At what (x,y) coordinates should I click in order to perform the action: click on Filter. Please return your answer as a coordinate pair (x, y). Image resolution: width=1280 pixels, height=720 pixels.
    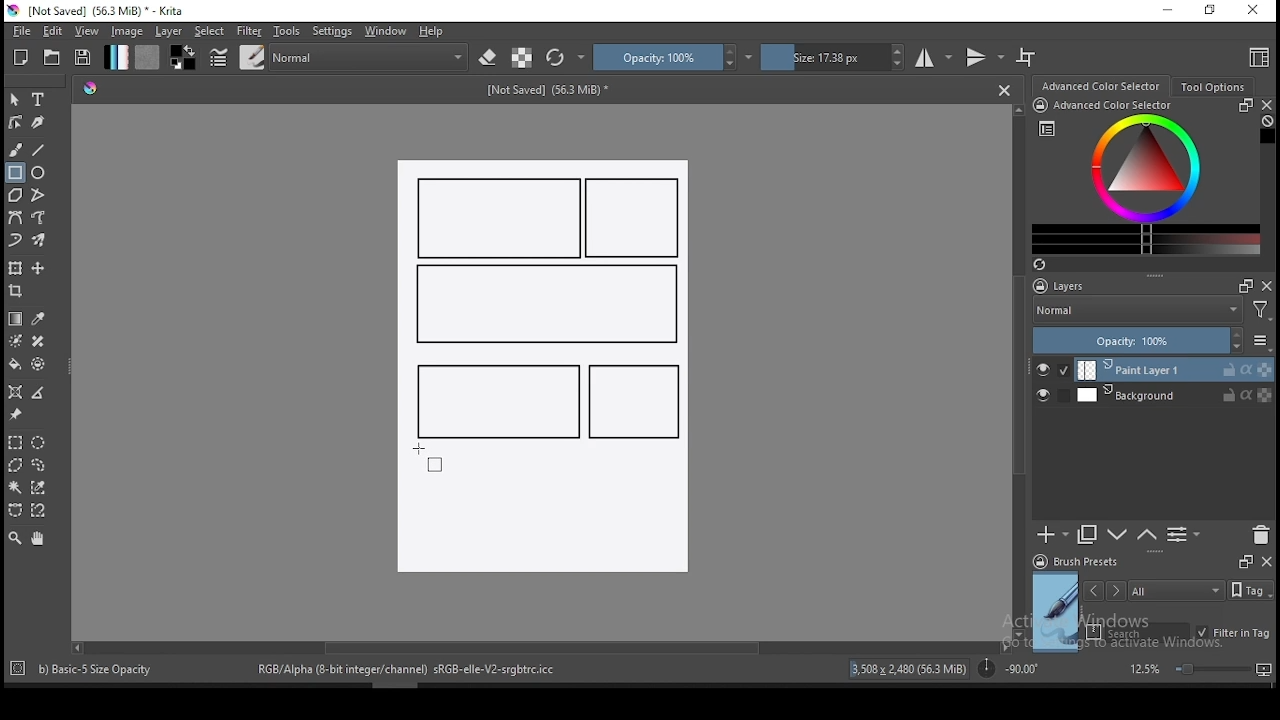
    Looking at the image, I should click on (1261, 313).